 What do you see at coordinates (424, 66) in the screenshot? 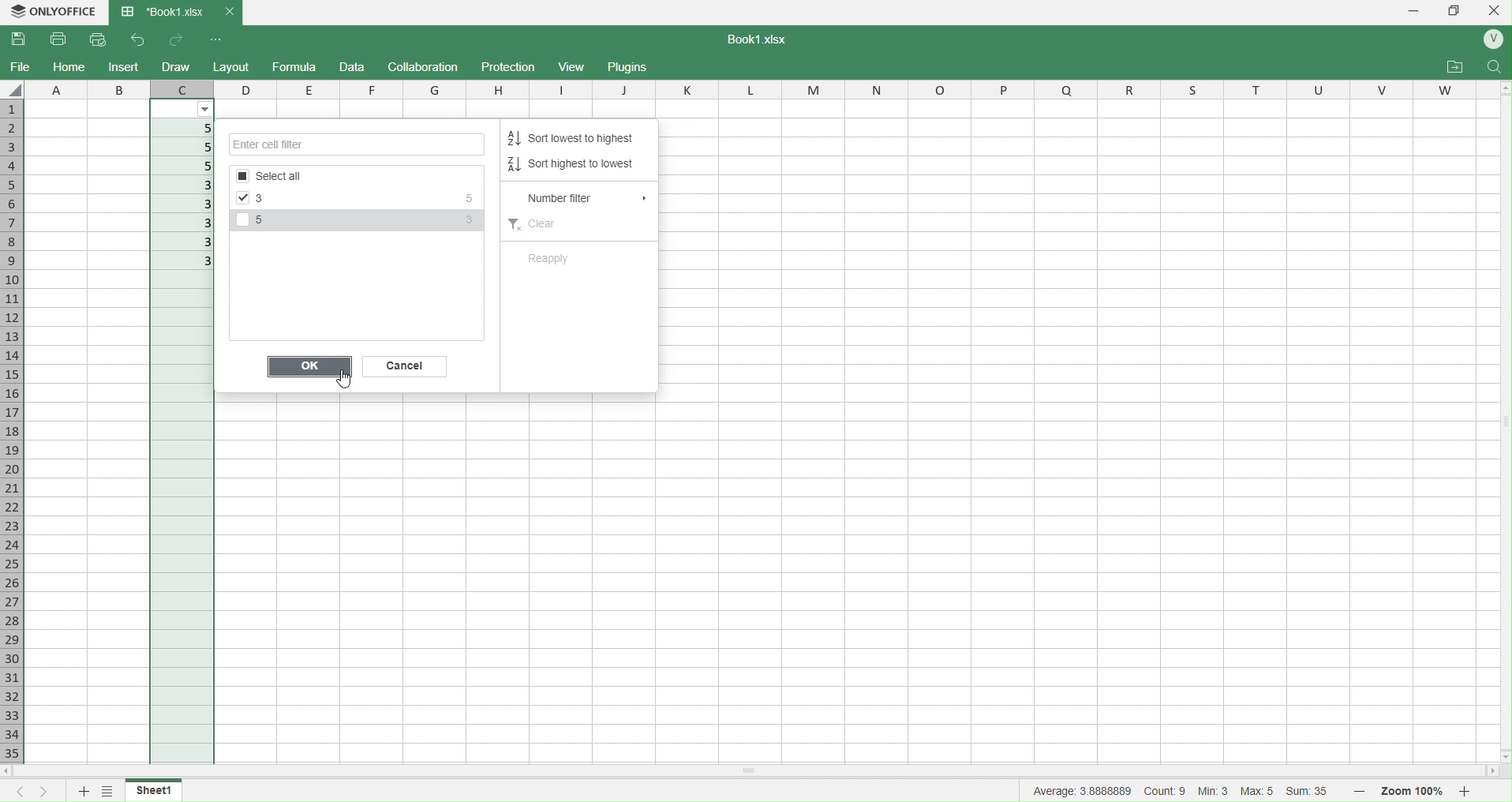
I see `Collaboration` at bounding box center [424, 66].